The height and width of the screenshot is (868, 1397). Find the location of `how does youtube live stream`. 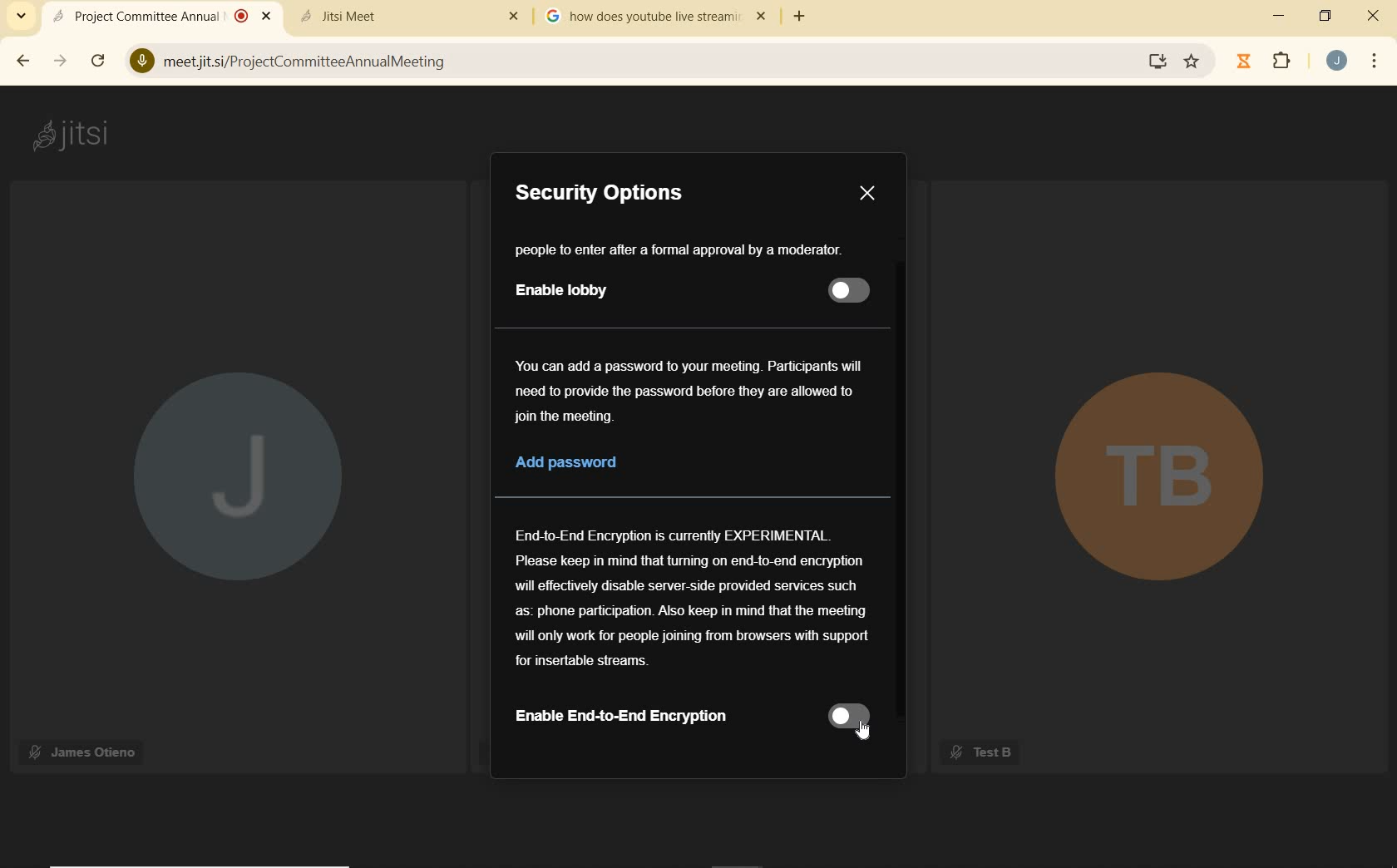

how does youtube live stream is located at coordinates (659, 17).